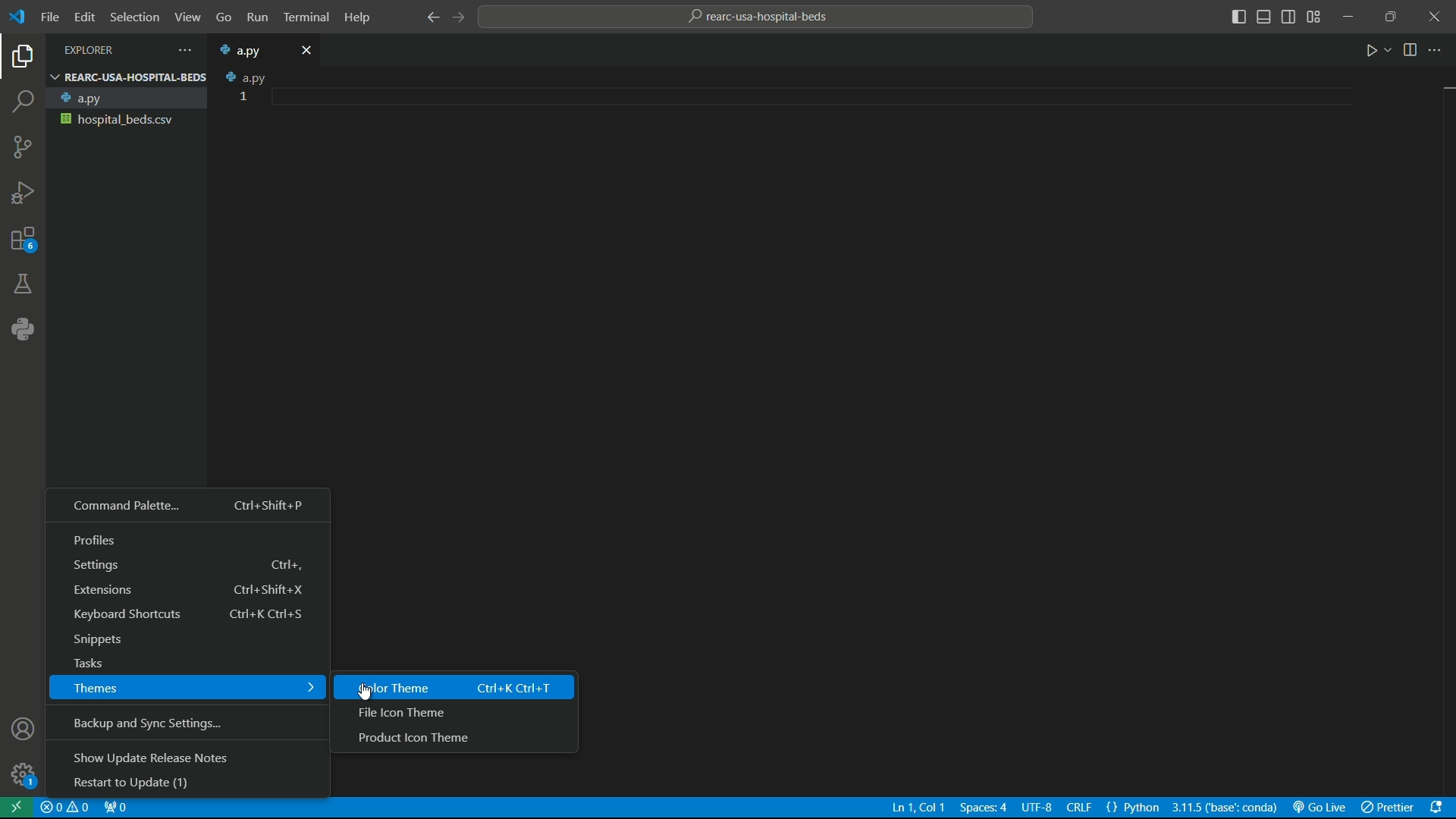 The height and width of the screenshot is (819, 1456). What do you see at coordinates (1412, 49) in the screenshot?
I see `split editor right` at bounding box center [1412, 49].